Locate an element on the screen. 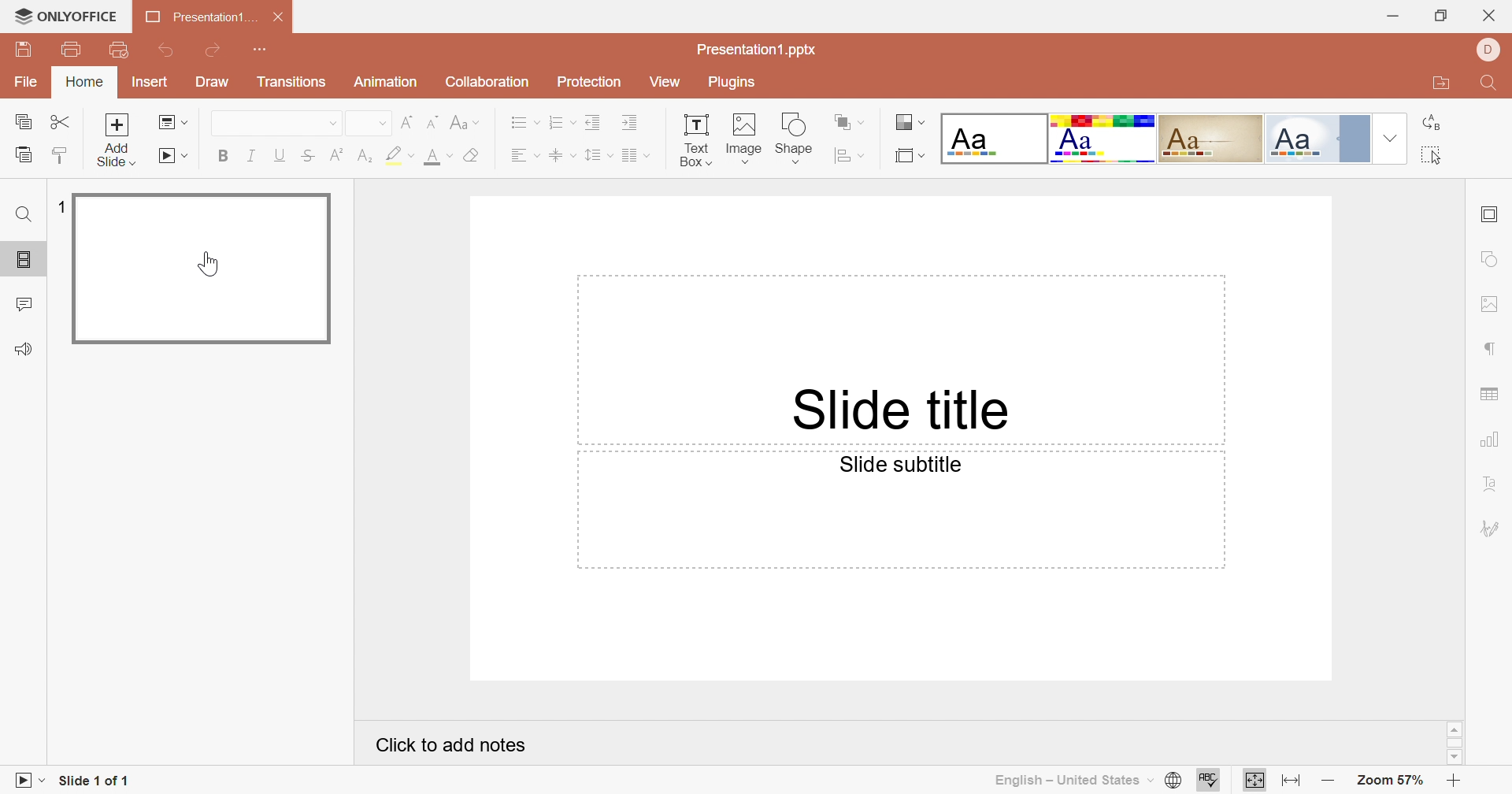 The width and height of the screenshot is (1512, 794). Slide settings is located at coordinates (1489, 214).